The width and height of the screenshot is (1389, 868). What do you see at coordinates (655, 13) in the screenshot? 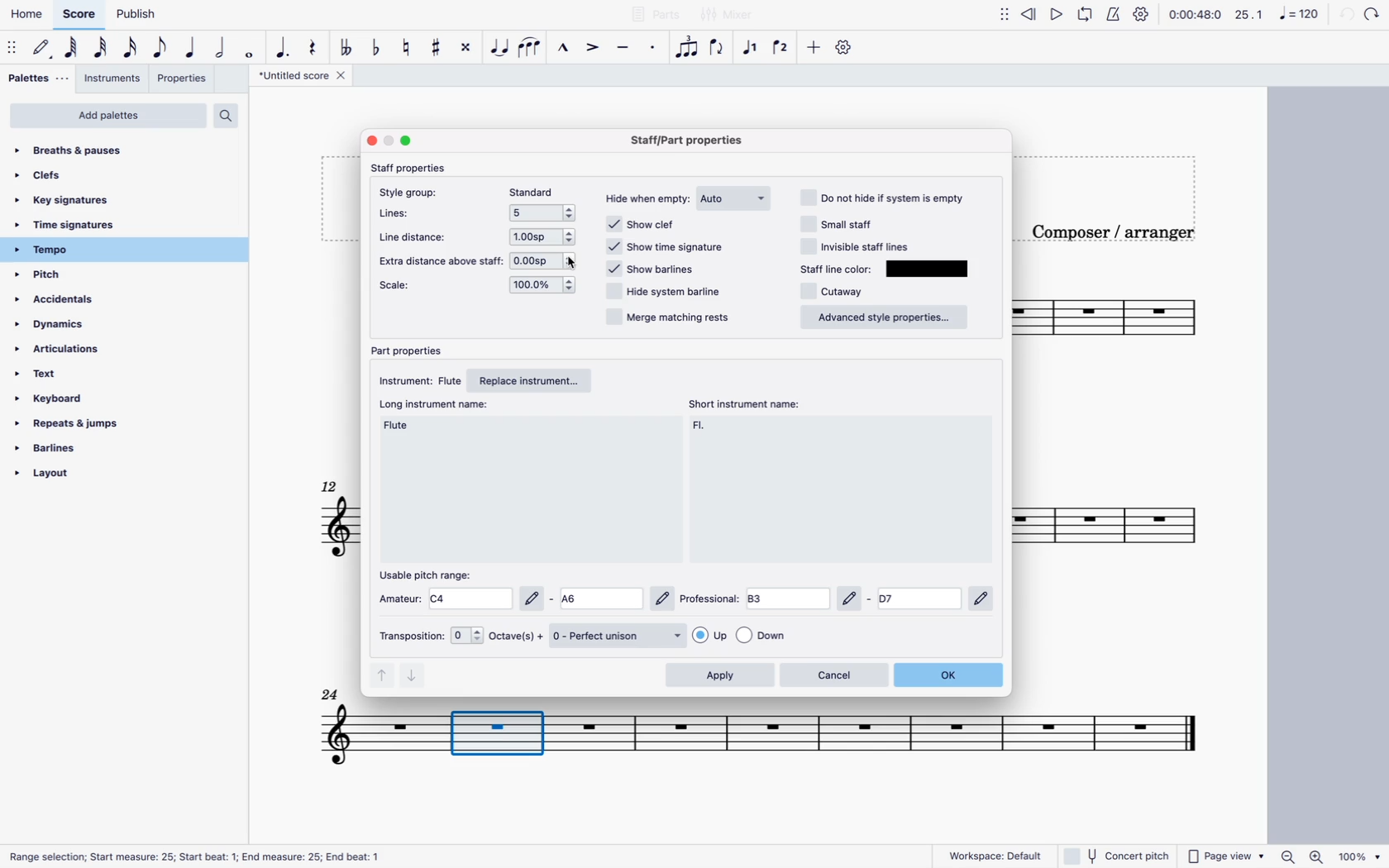
I see `parts` at bounding box center [655, 13].